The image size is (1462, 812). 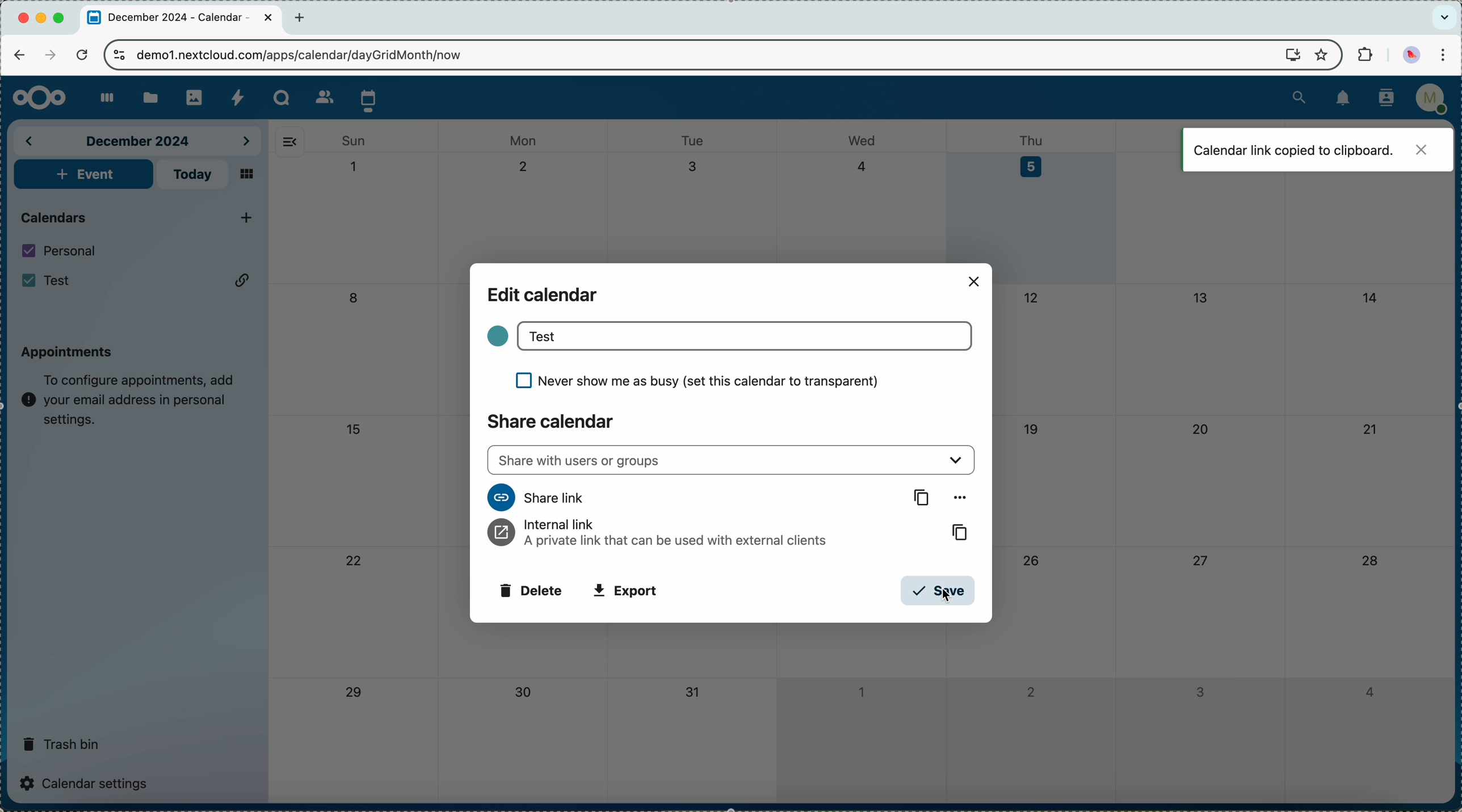 What do you see at coordinates (1369, 562) in the screenshot?
I see `28` at bounding box center [1369, 562].